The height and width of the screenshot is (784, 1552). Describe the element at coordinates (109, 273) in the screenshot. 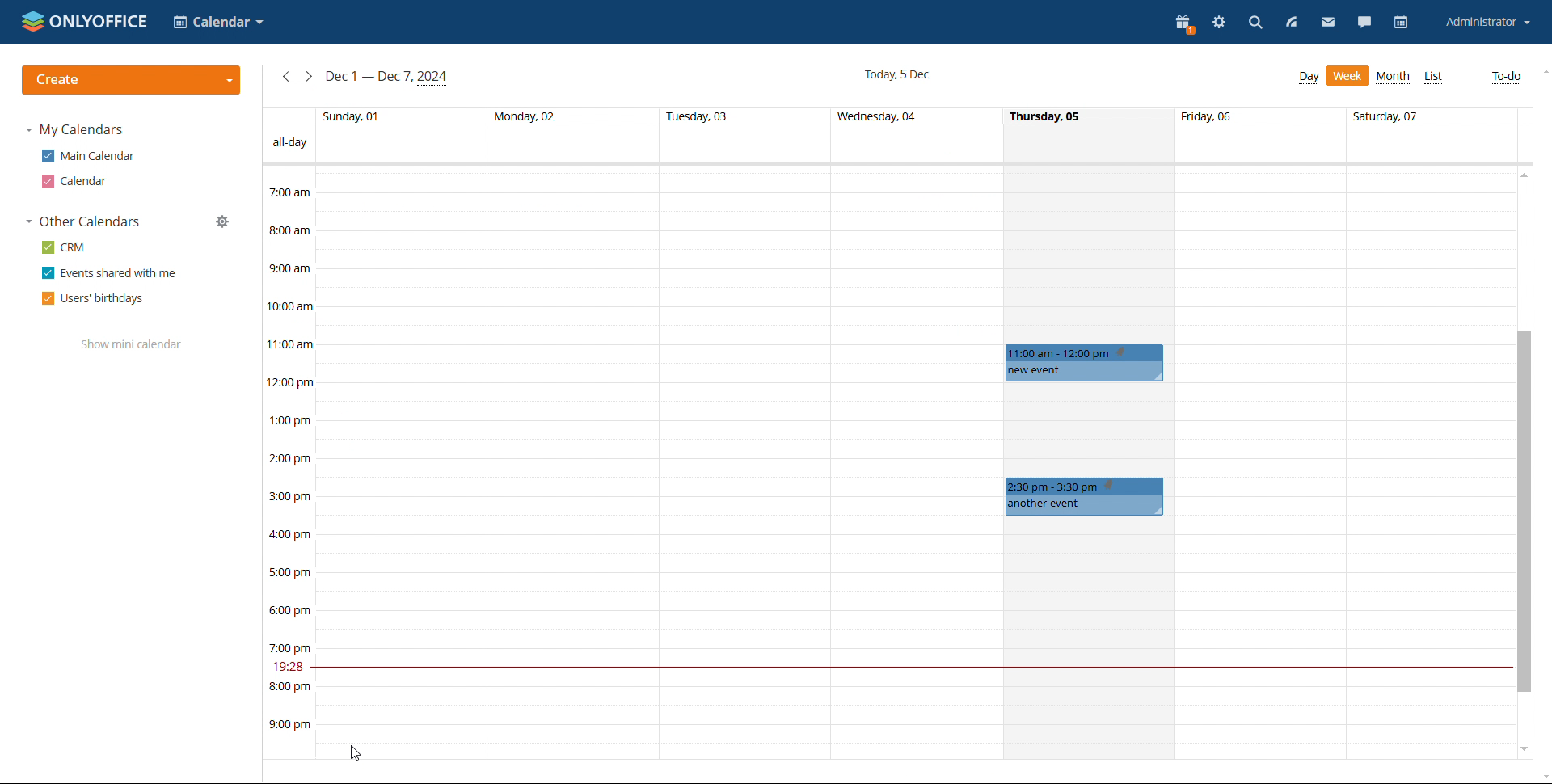

I see `events shared with me` at that location.